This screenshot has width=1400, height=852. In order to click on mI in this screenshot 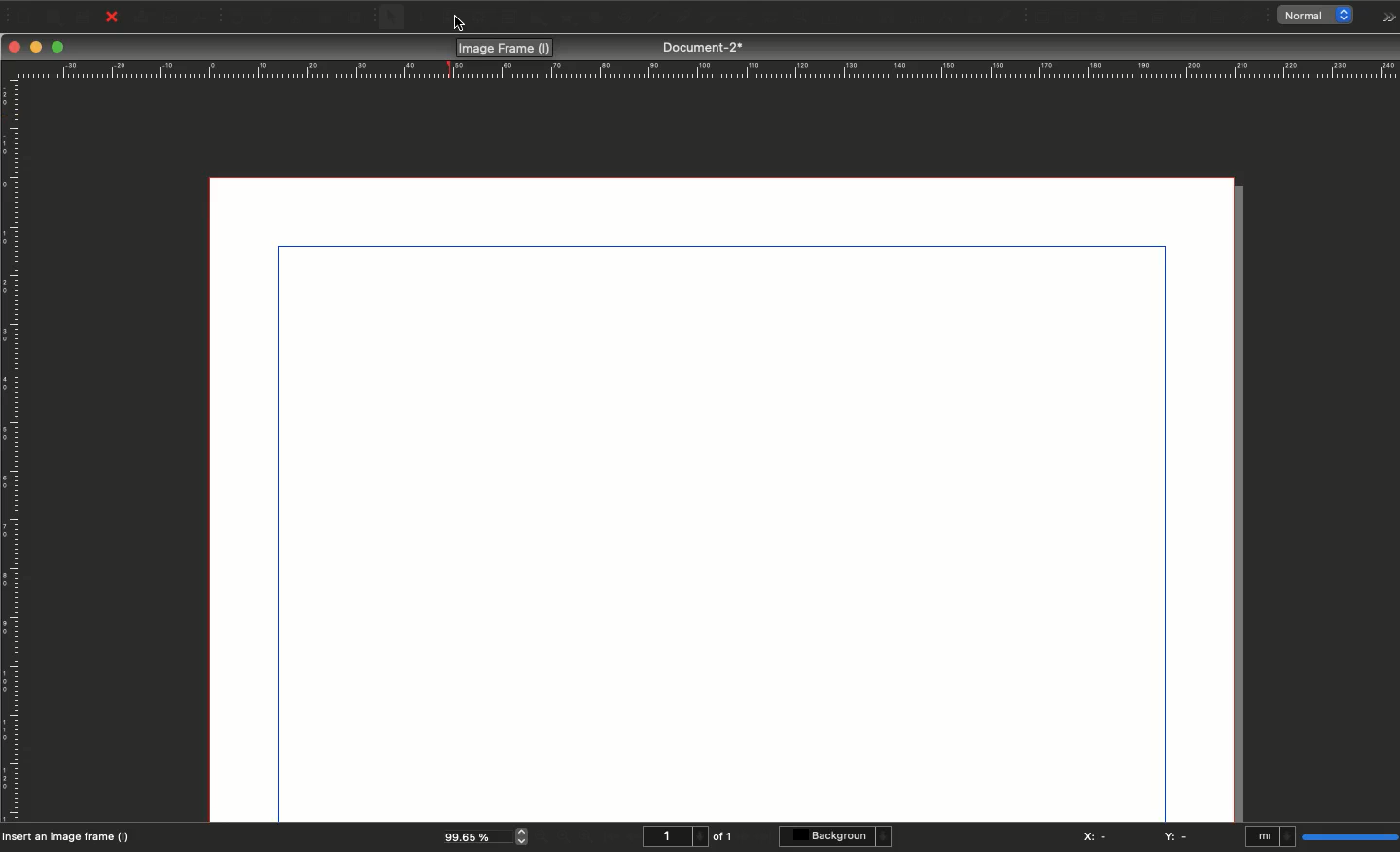, I will do `click(1271, 838)`.